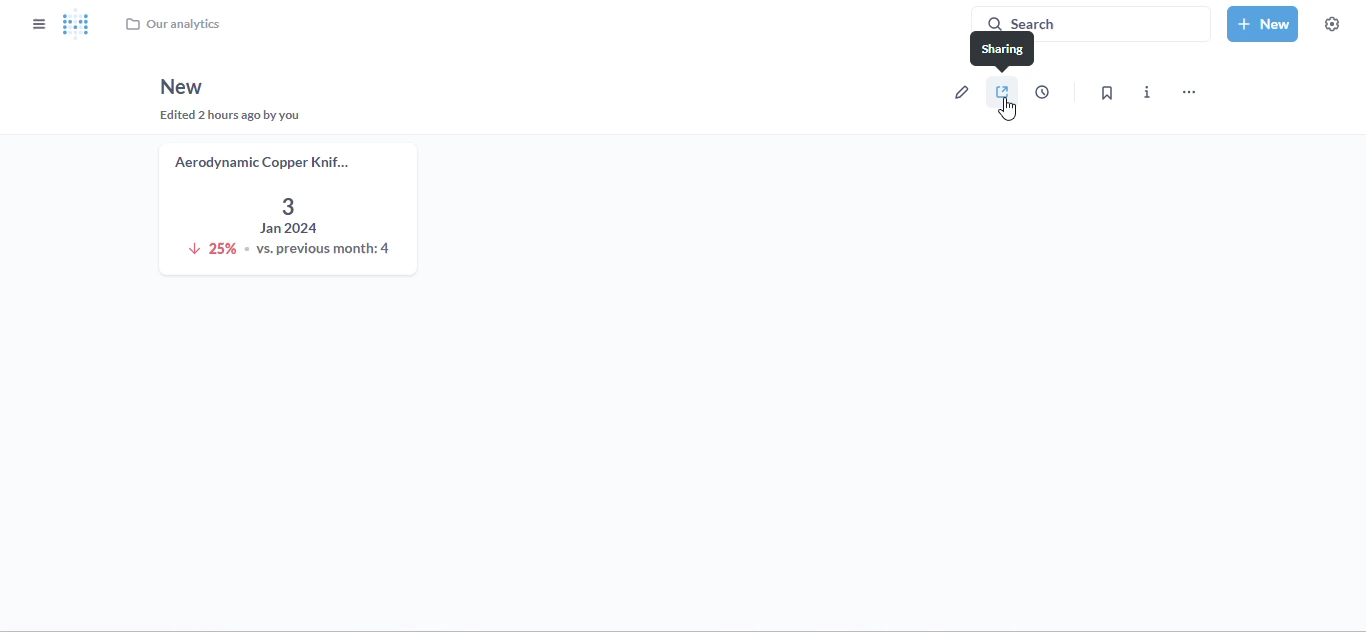 The height and width of the screenshot is (632, 1366). Describe the element at coordinates (1091, 23) in the screenshot. I see `search` at that location.